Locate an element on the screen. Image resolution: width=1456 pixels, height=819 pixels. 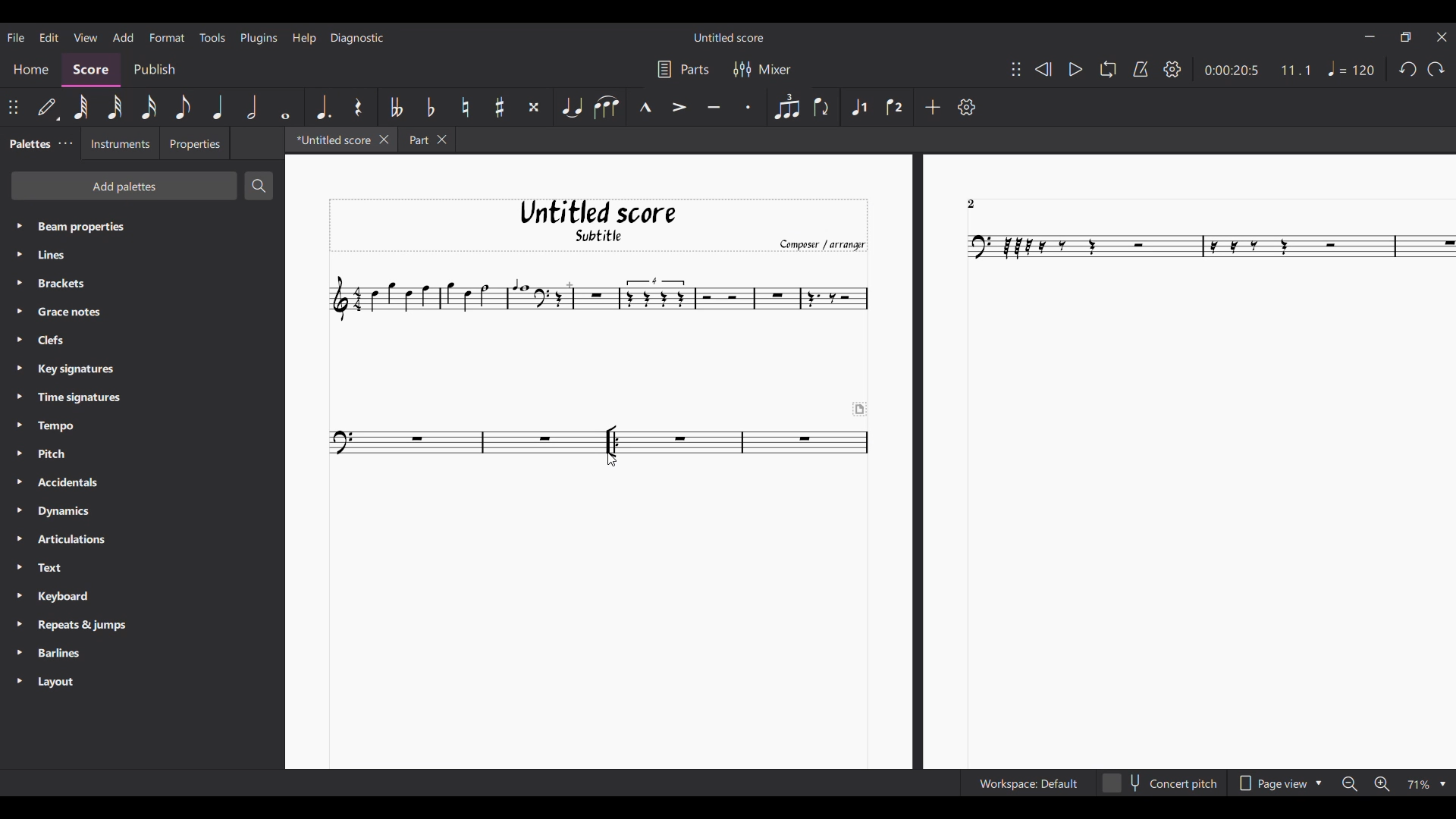
Change toolbar position is located at coordinates (14, 108).